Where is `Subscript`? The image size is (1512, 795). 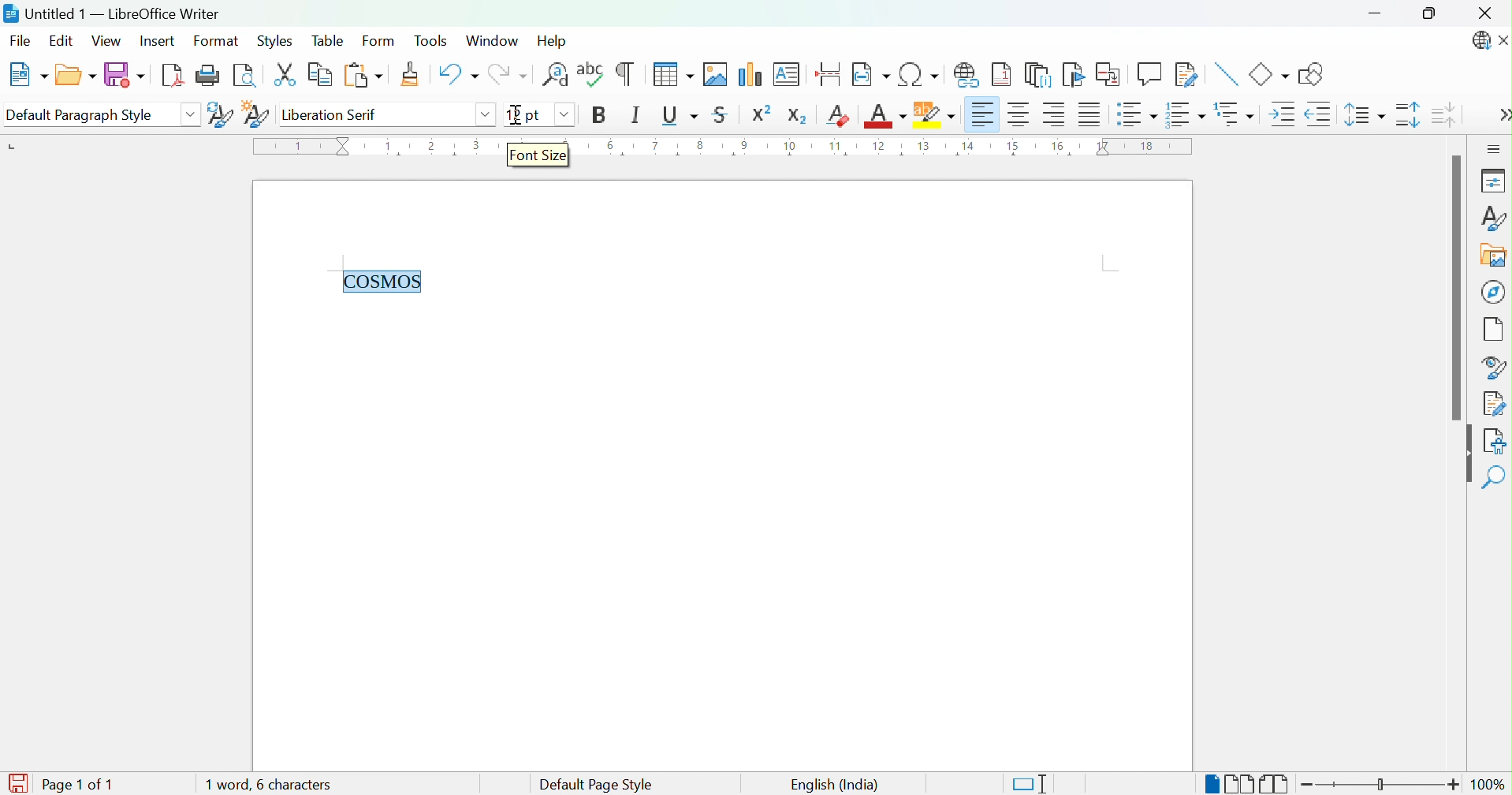
Subscript is located at coordinates (798, 113).